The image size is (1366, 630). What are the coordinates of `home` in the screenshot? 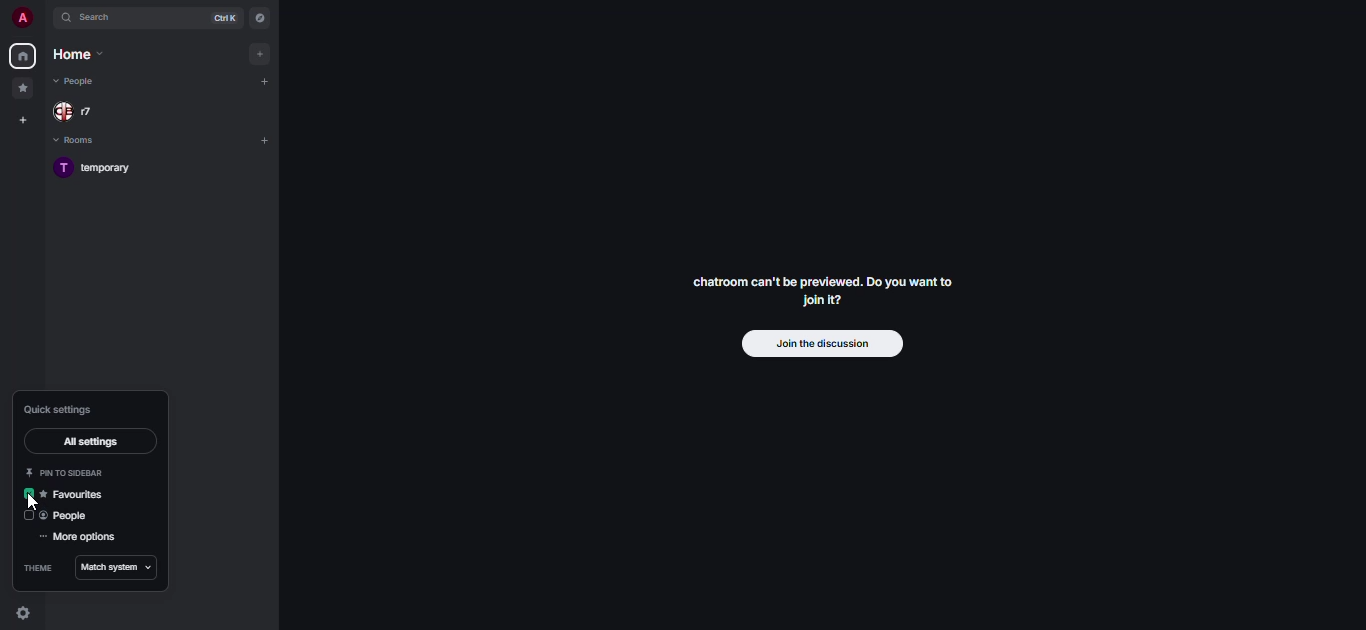 It's located at (73, 57).